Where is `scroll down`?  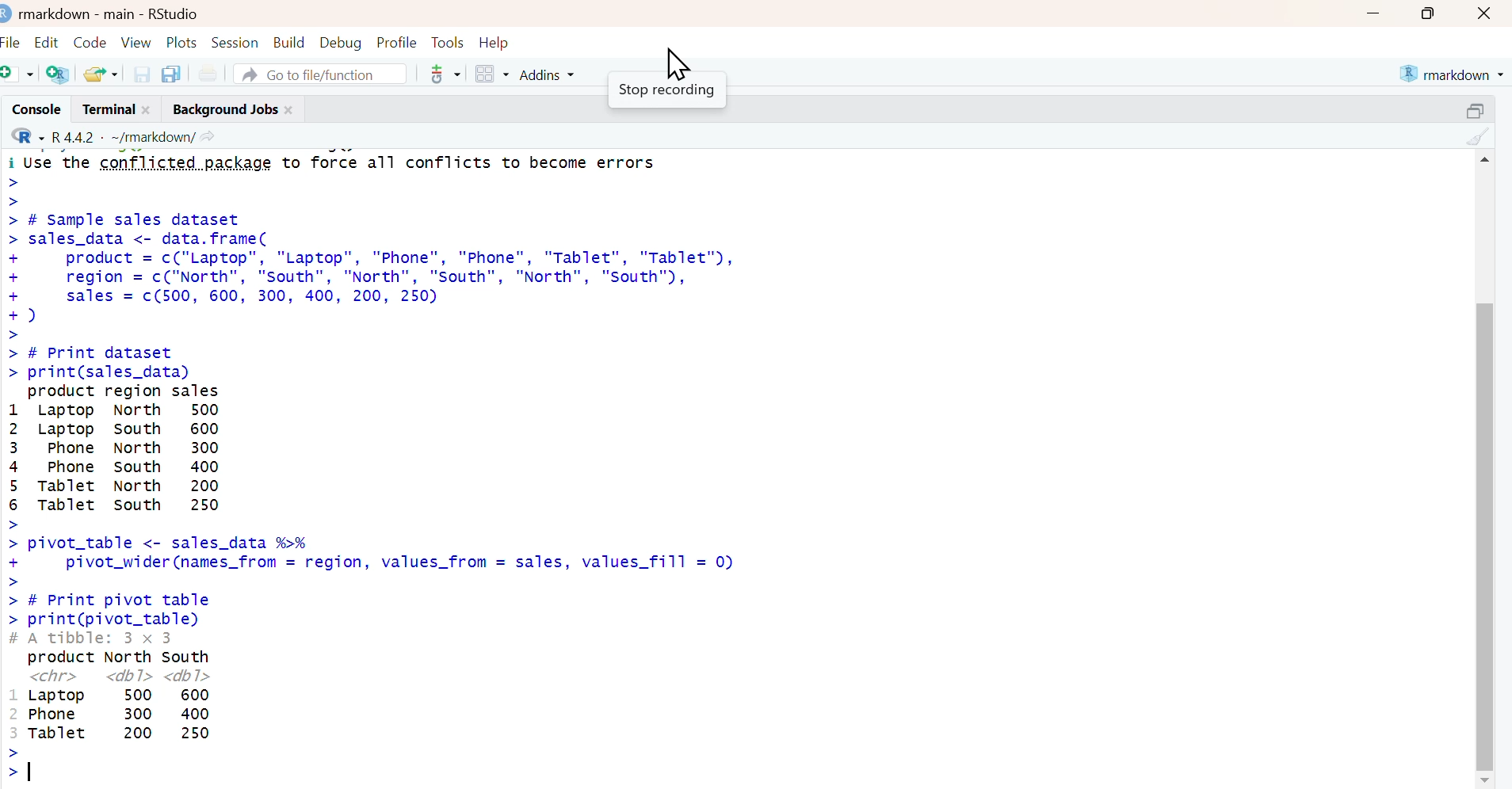
scroll down is located at coordinates (1486, 779).